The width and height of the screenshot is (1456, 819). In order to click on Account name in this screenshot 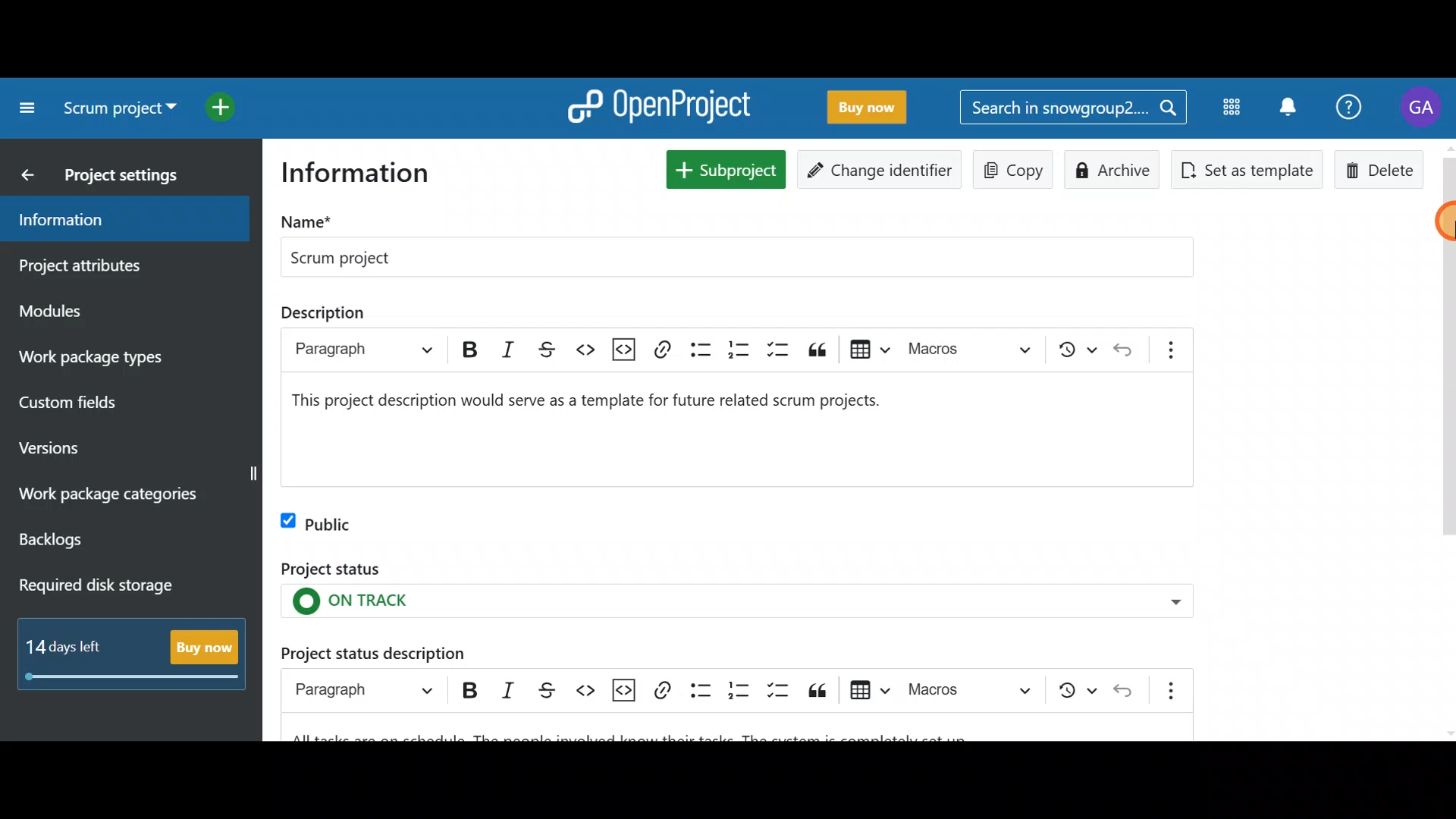, I will do `click(1424, 108)`.